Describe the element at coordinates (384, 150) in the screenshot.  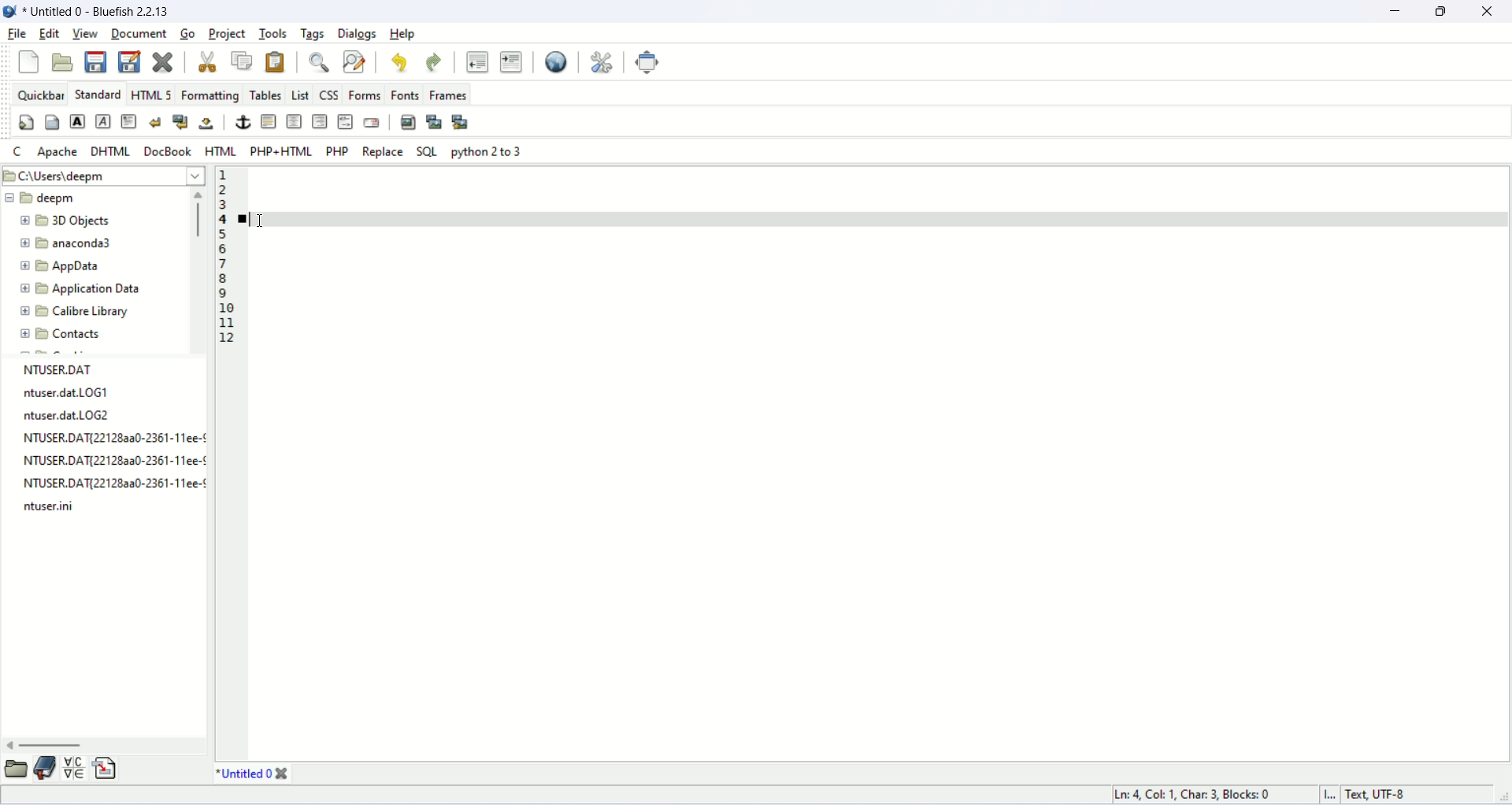
I see `REPLACE` at that location.